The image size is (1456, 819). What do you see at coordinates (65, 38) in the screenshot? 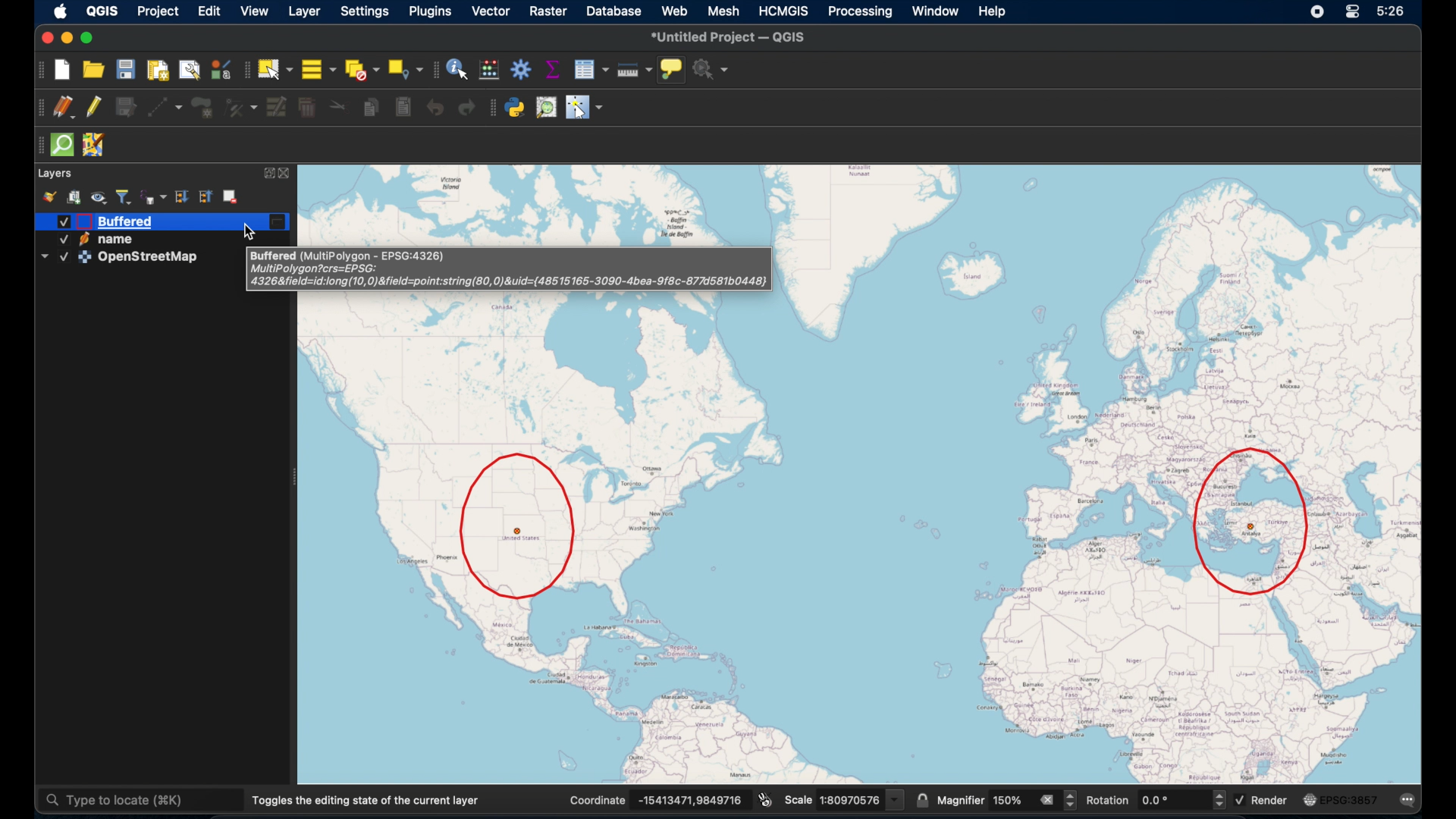
I see `minimize` at bounding box center [65, 38].